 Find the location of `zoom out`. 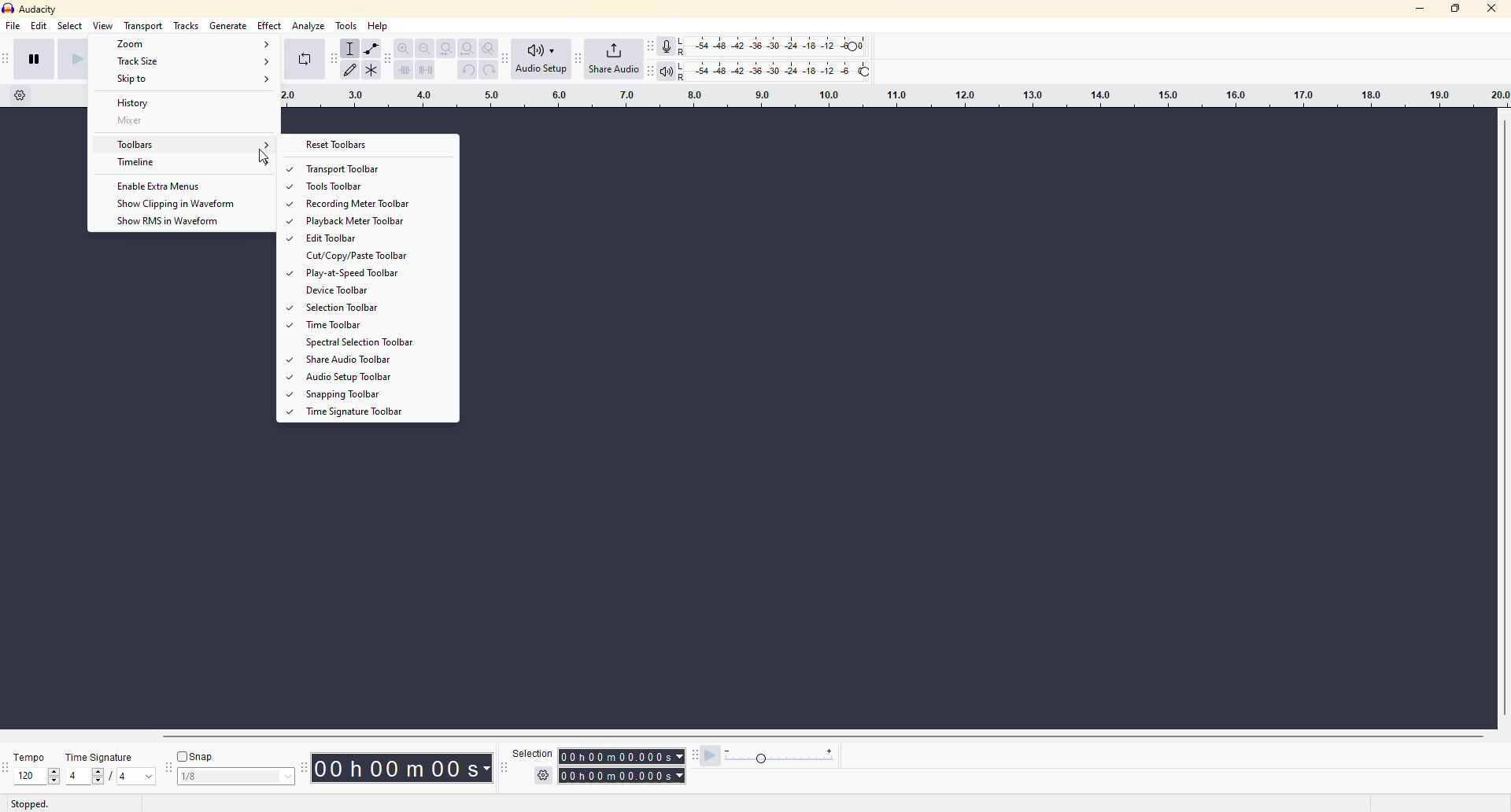

zoom out is located at coordinates (423, 48).